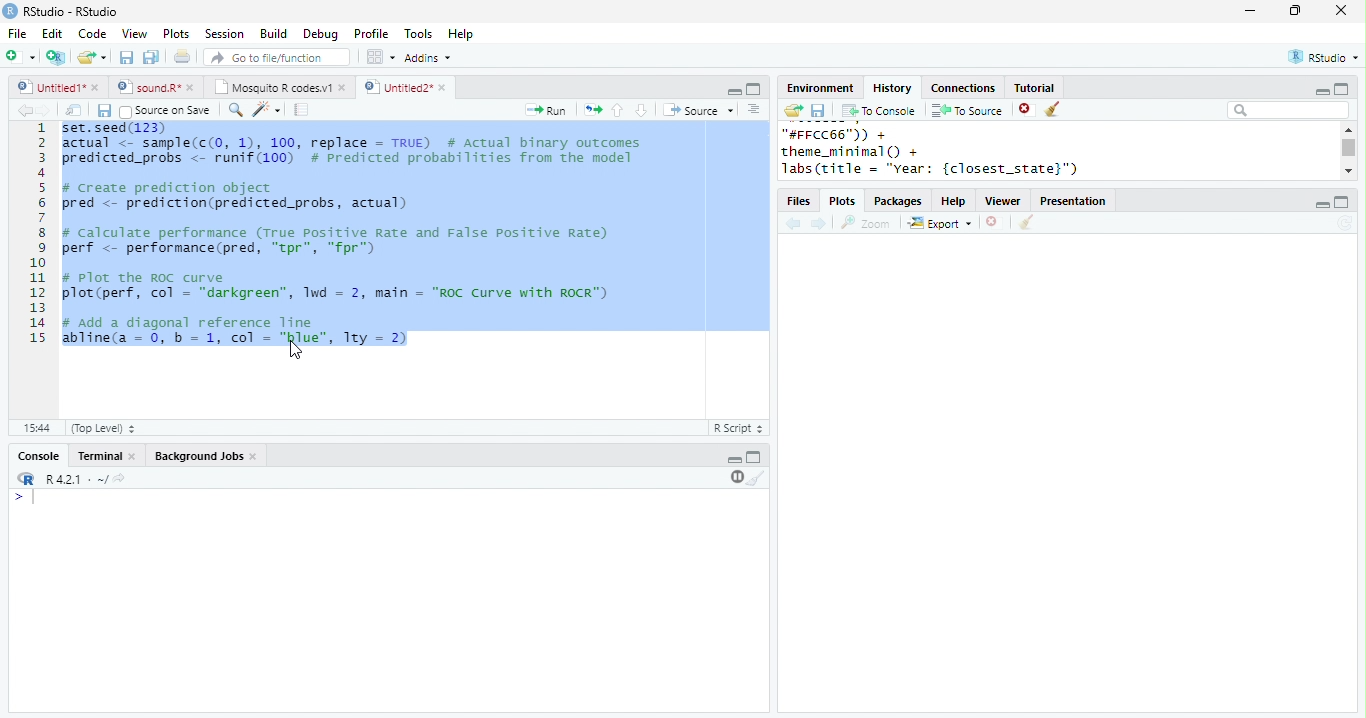 The height and width of the screenshot is (718, 1366). I want to click on up, so click(616, 110).